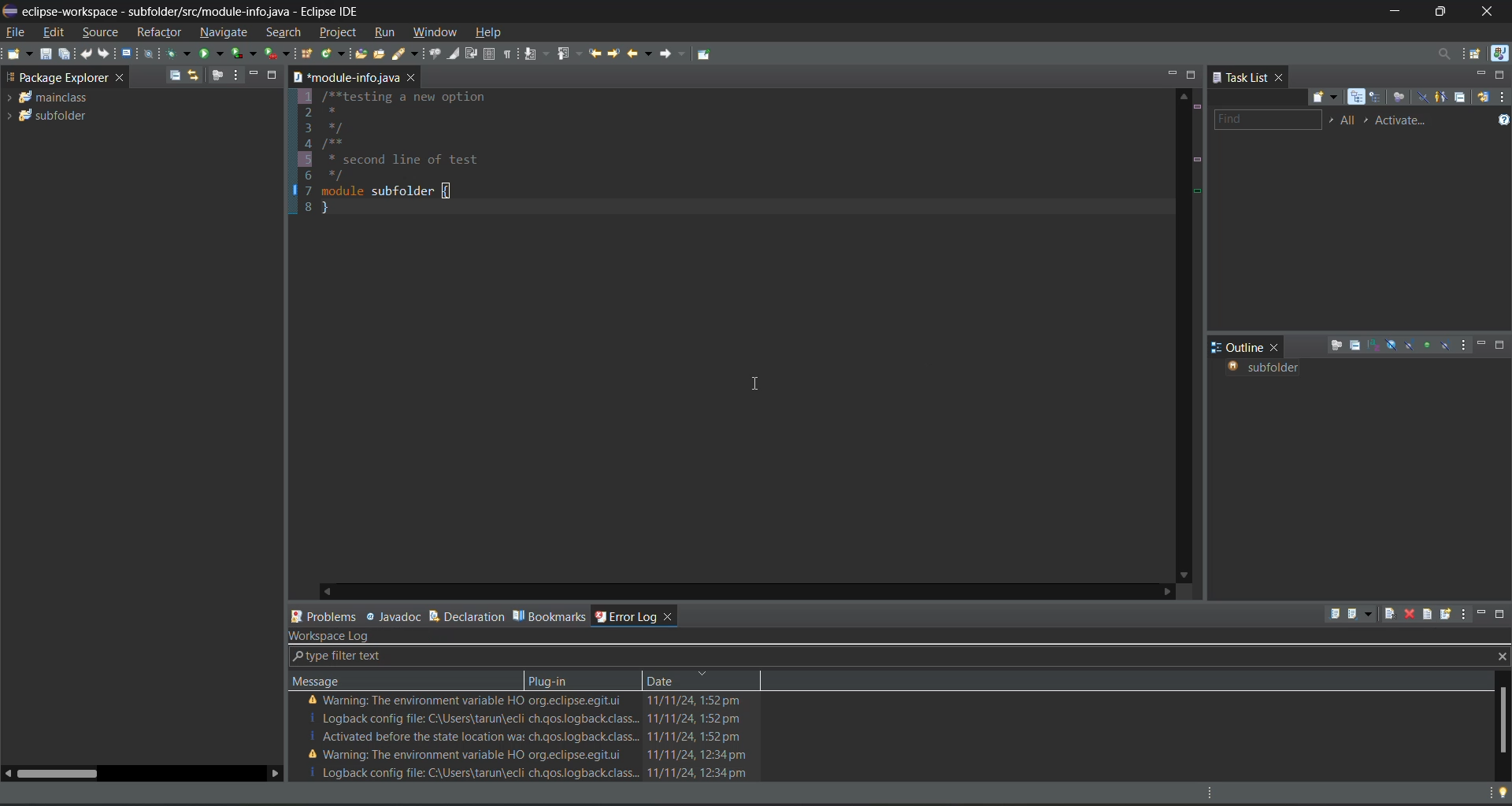 The image size is (1512, 806). I want to click on focus on active task, so click(1336, 346).